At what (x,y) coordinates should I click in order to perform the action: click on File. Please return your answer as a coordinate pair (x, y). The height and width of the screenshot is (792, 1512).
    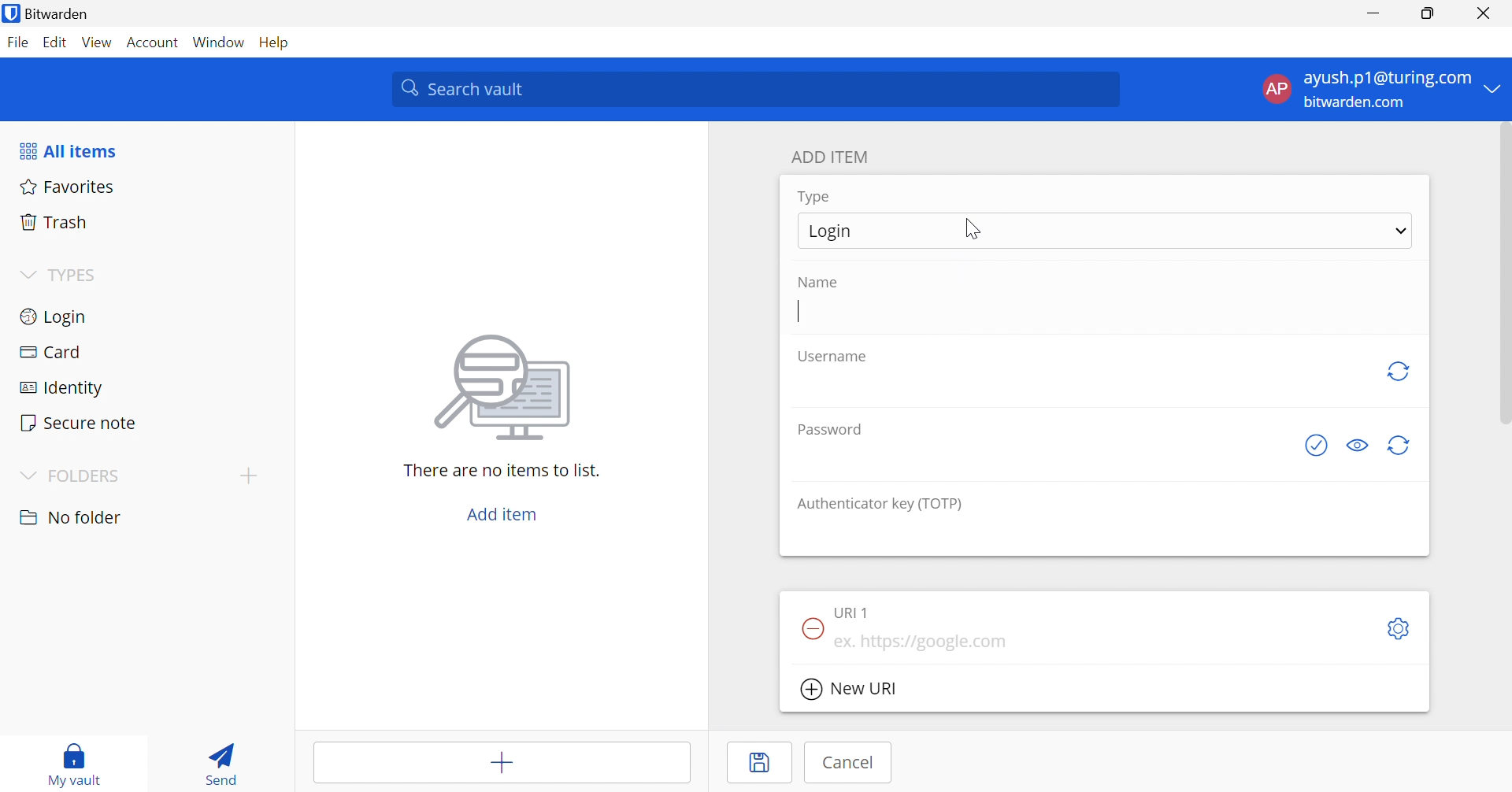
    Looking at the image, I should click on (18, 43).